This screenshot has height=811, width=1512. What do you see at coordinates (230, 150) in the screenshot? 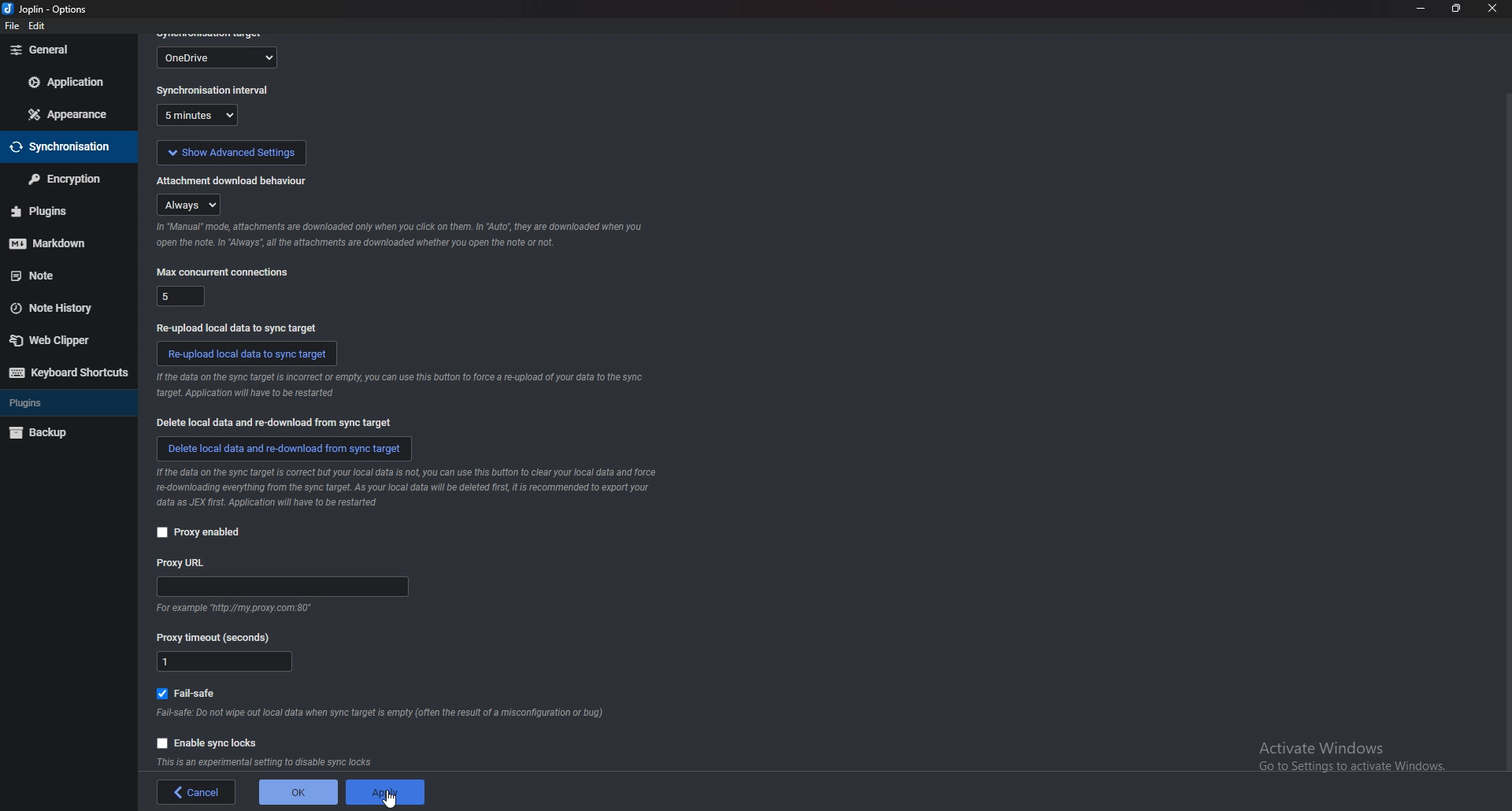
I see `show advanced settings` at bounding box center [230, 150].